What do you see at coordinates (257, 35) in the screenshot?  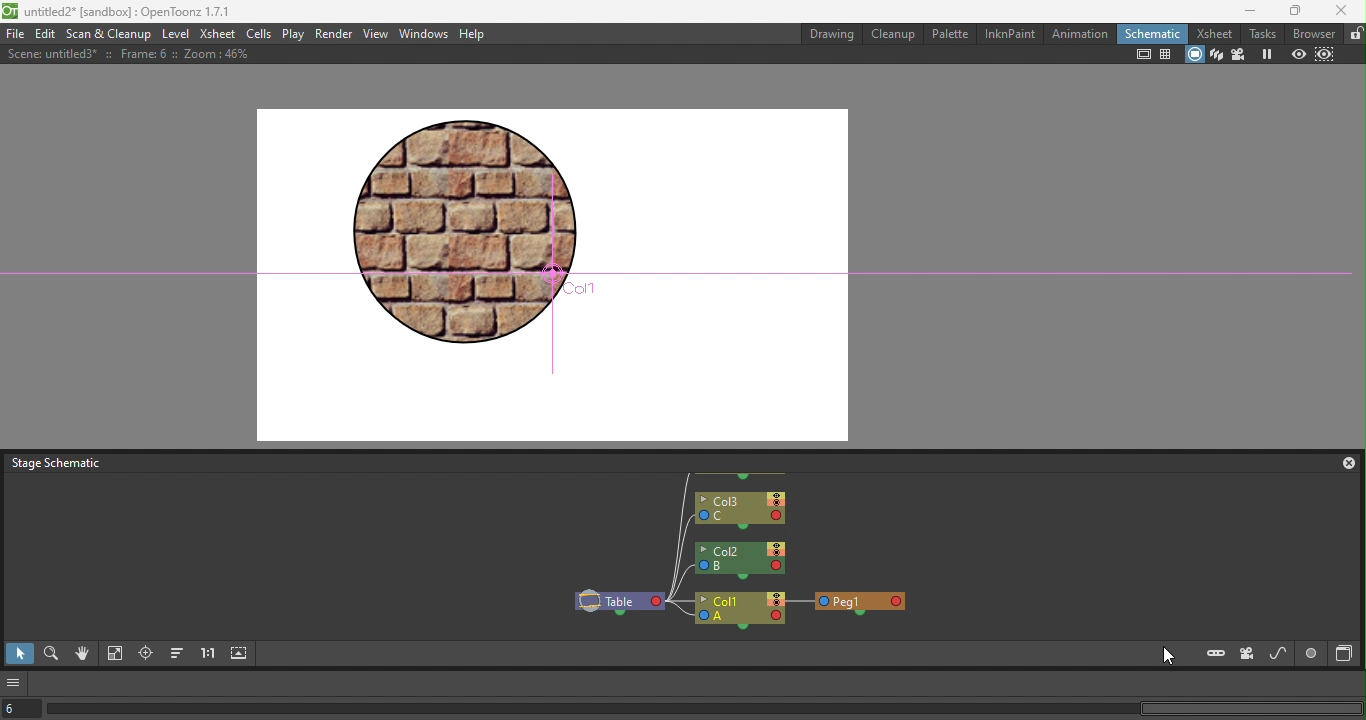 I see `Cells ` at bounding box center [257, 35].